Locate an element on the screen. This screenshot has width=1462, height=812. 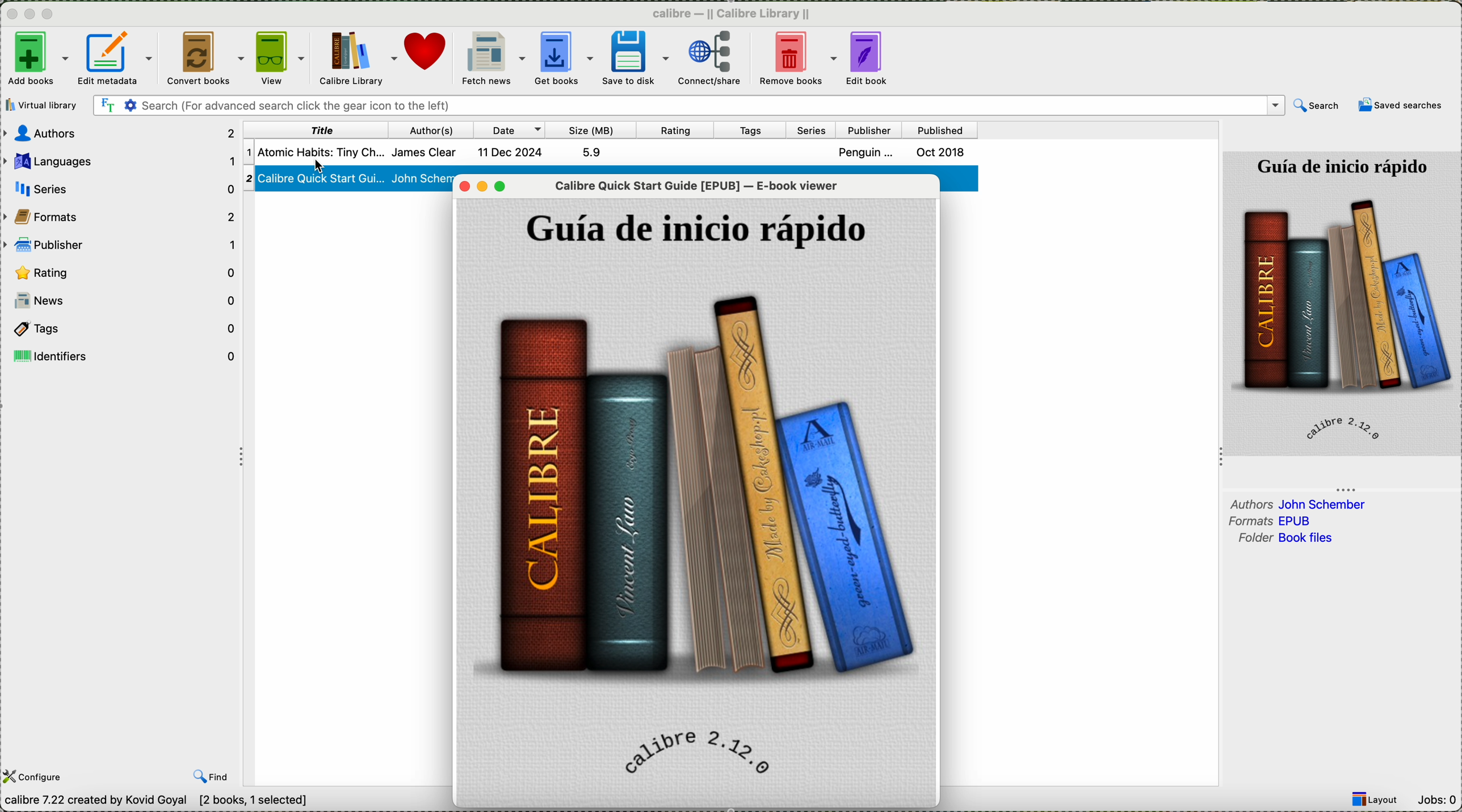
news is located at coordinates (125, 301).